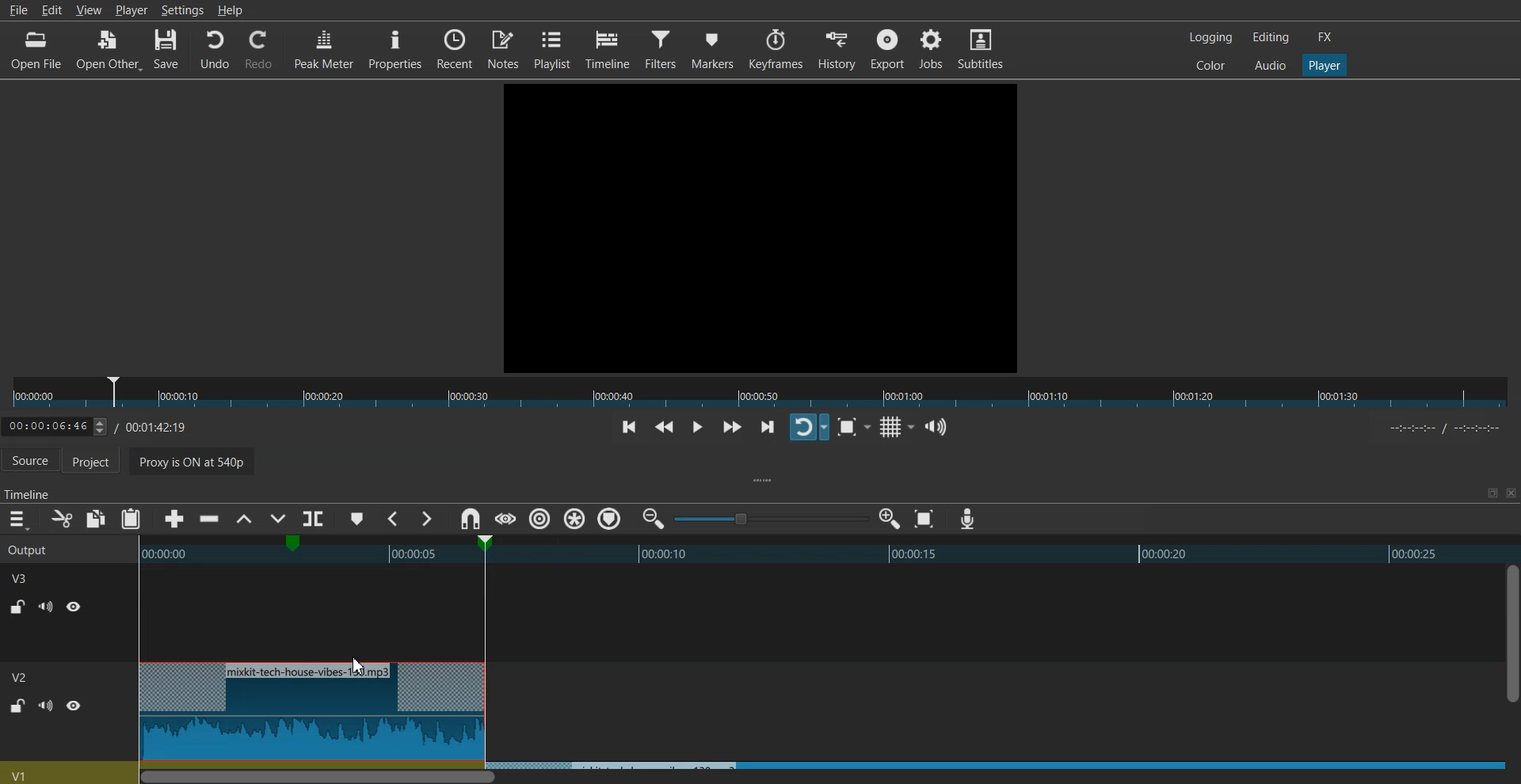 This screenshot has width=1521, height=784. I want to click on Peak Meter, so click(324, 48).